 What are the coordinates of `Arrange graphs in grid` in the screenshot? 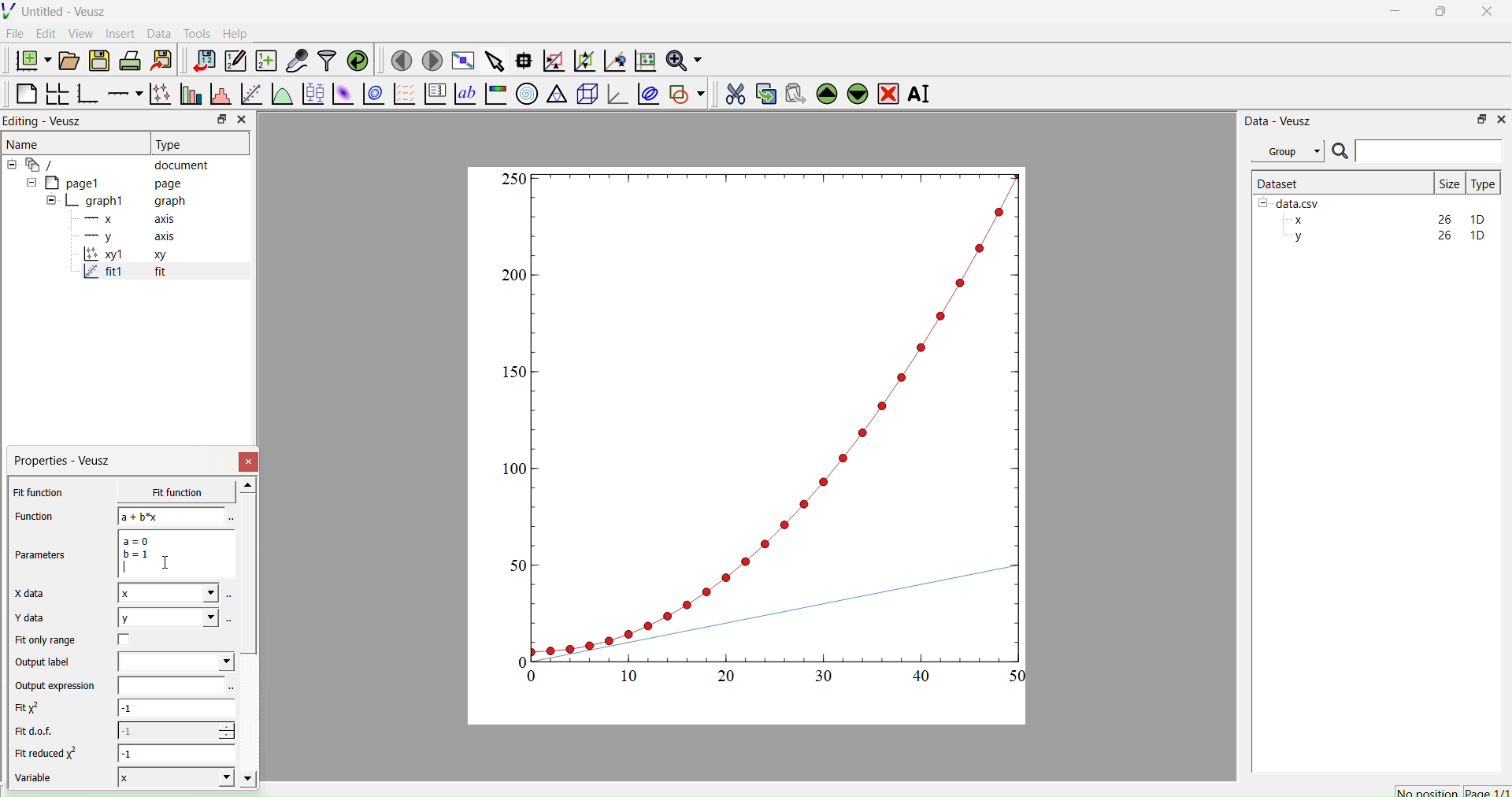 It's located at (57, 95).